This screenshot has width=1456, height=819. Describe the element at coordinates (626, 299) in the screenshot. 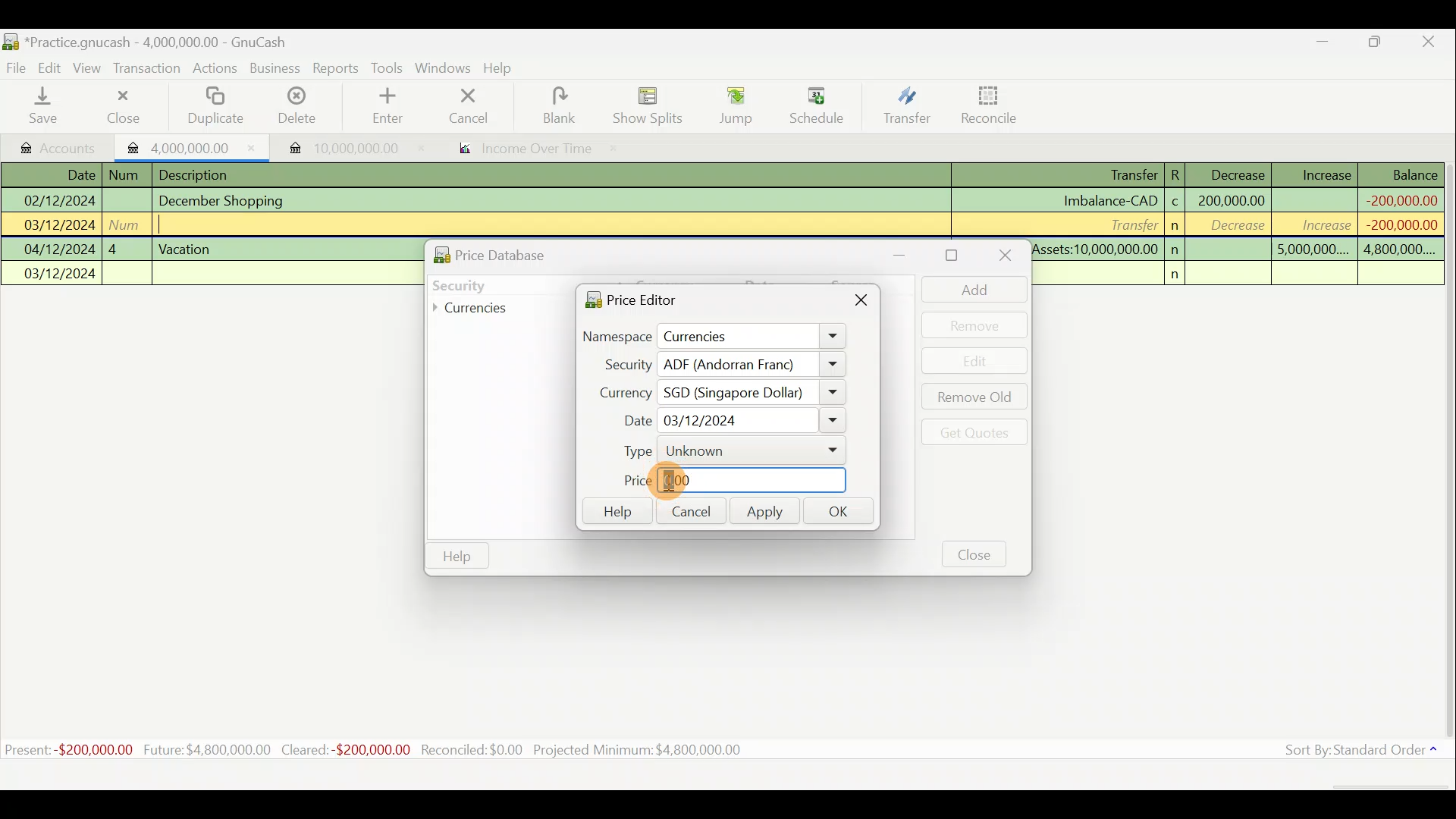

I see `Price editor` at that location.